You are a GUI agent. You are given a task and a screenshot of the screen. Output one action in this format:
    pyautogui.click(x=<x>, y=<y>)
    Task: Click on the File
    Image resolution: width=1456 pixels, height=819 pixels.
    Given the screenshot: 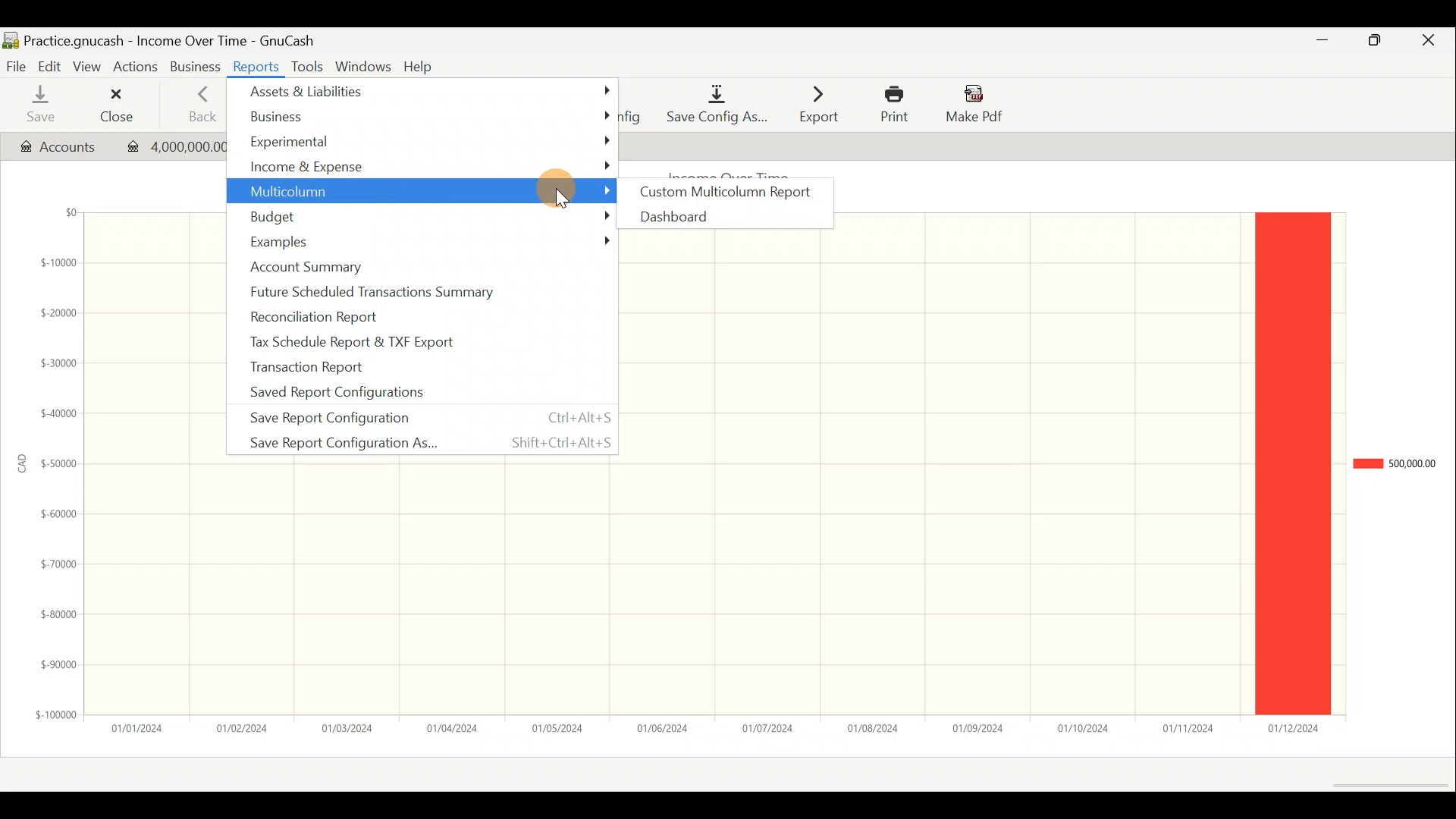 What is the action you would take?
    pyautogui.click(x=17, y=65)
    